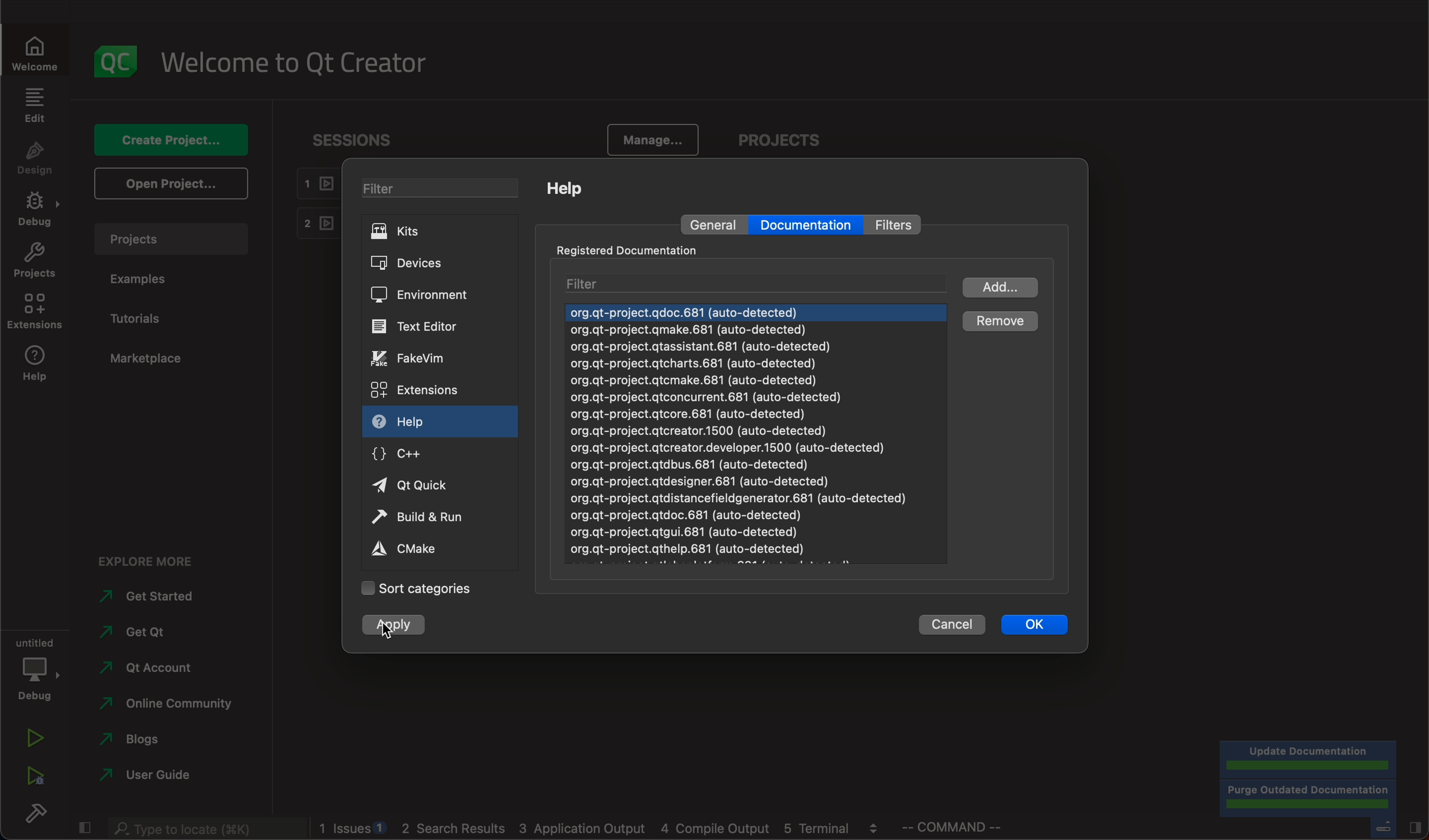  I want to click on get qt, so click(150, 633).